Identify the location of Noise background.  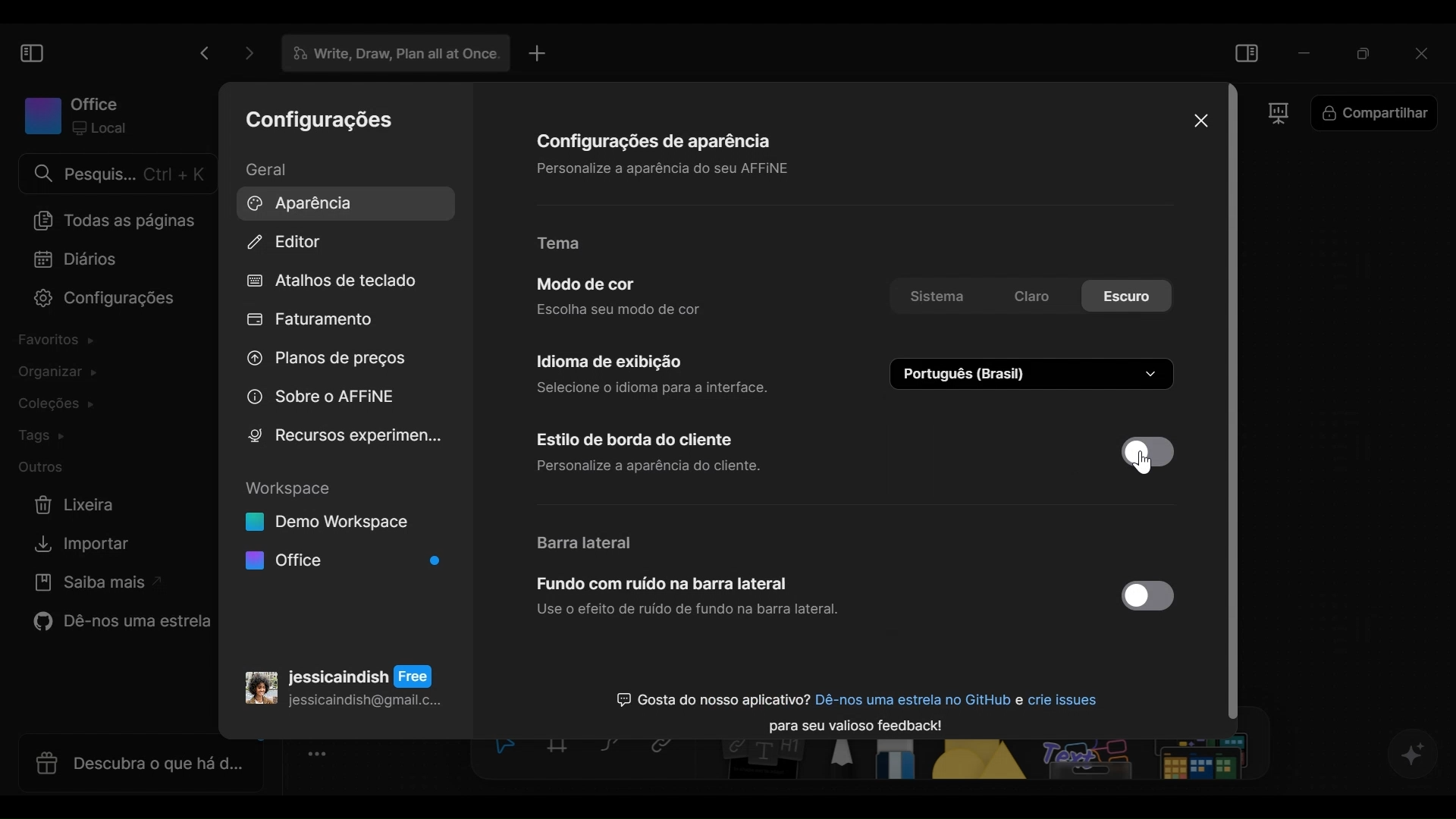
(688, 599).